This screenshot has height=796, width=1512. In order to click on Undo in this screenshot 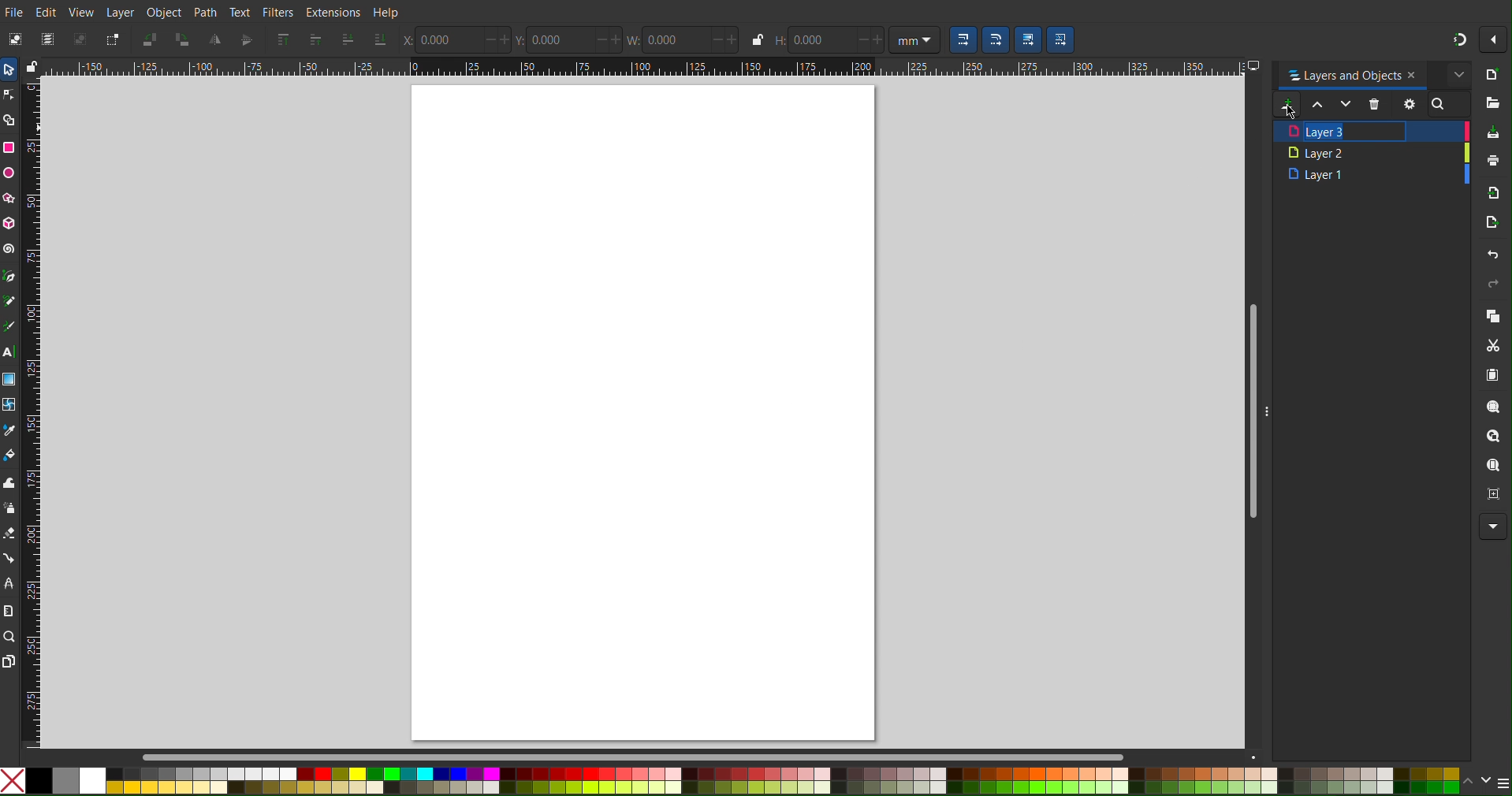, I will do `click(1490, 256)`.